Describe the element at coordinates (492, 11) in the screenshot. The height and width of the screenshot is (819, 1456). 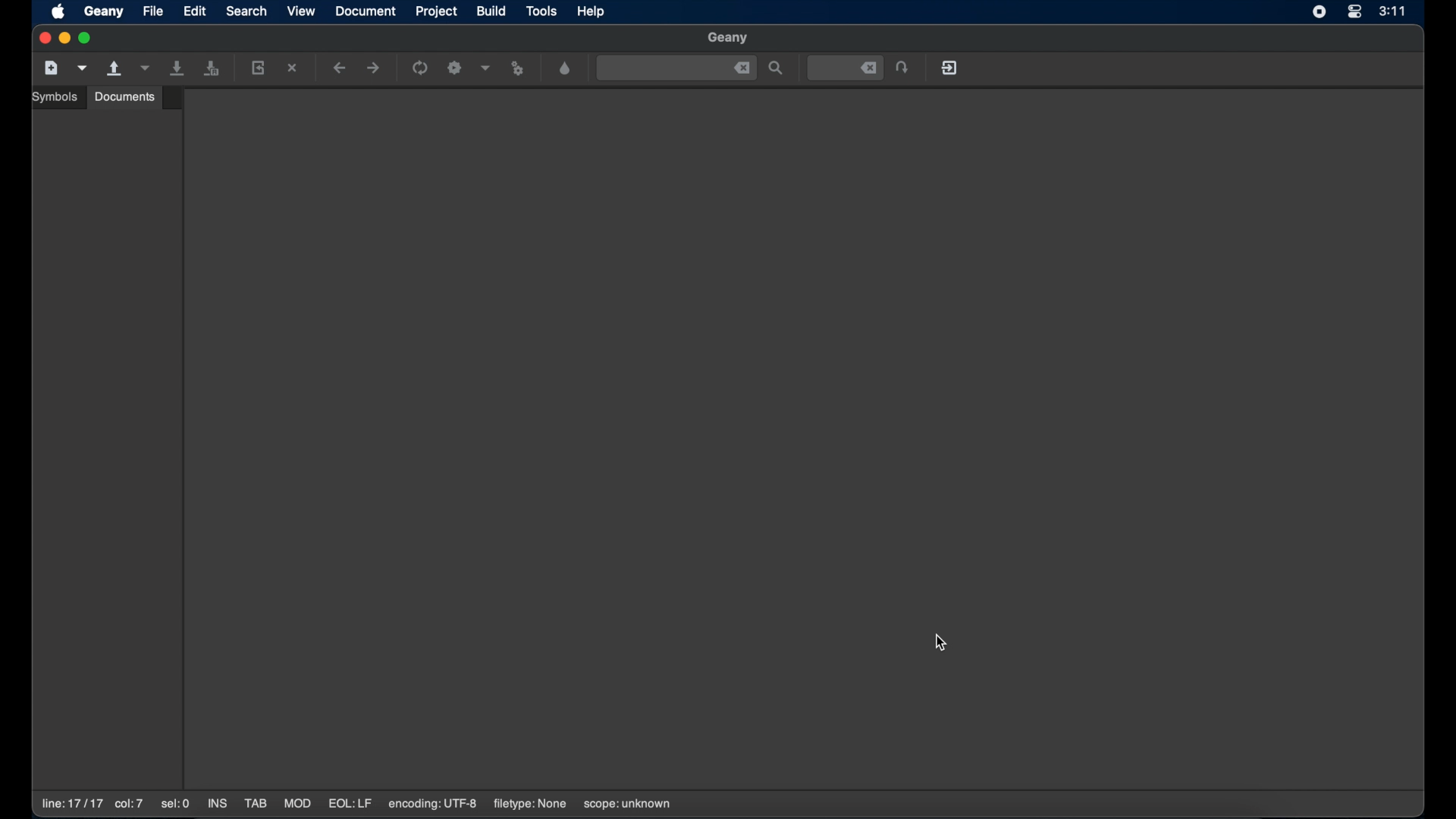
I see `build` at that location.